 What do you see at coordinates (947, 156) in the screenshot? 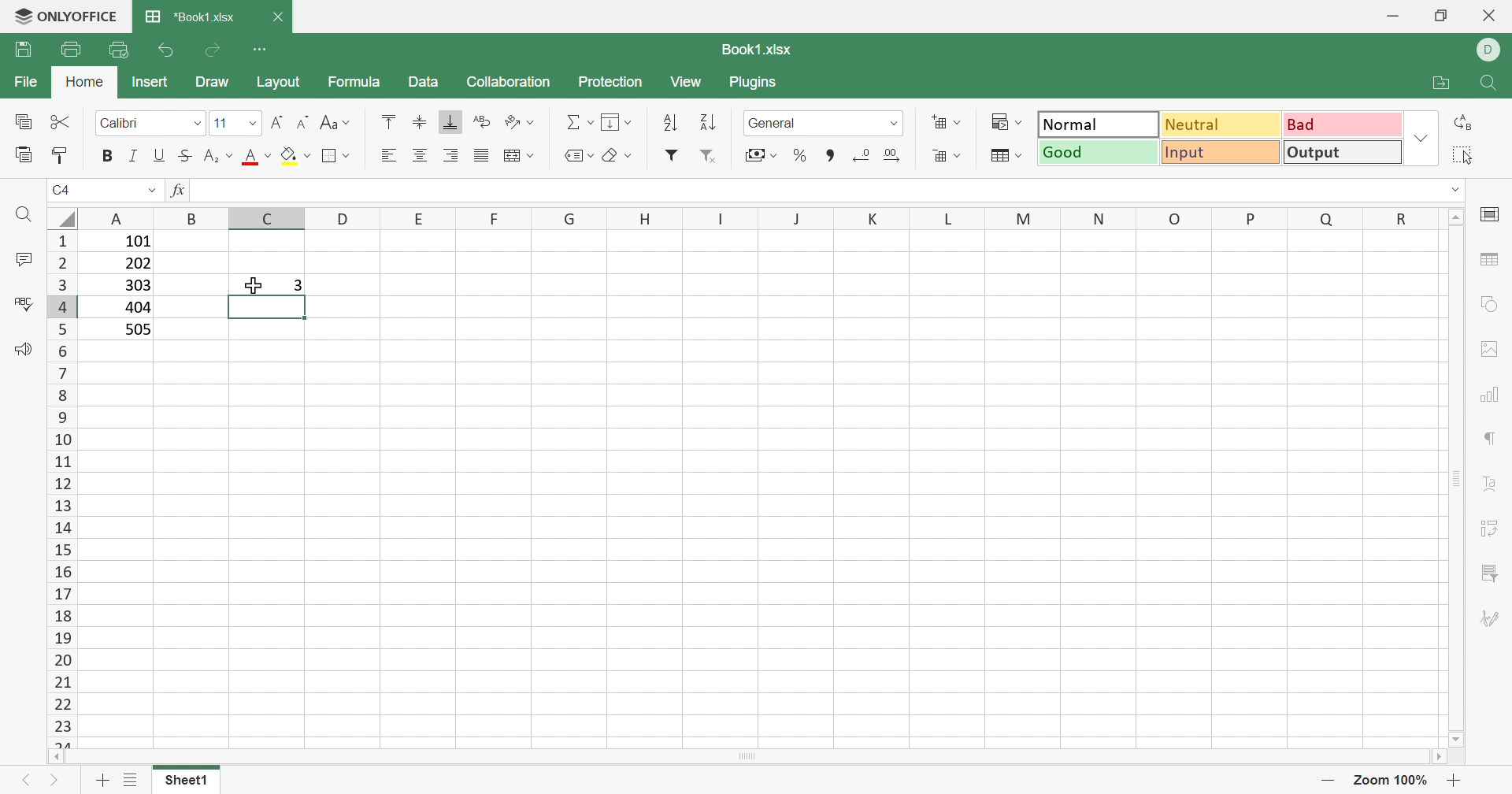
I see `Delete cells` at bounding box center [947, 156].